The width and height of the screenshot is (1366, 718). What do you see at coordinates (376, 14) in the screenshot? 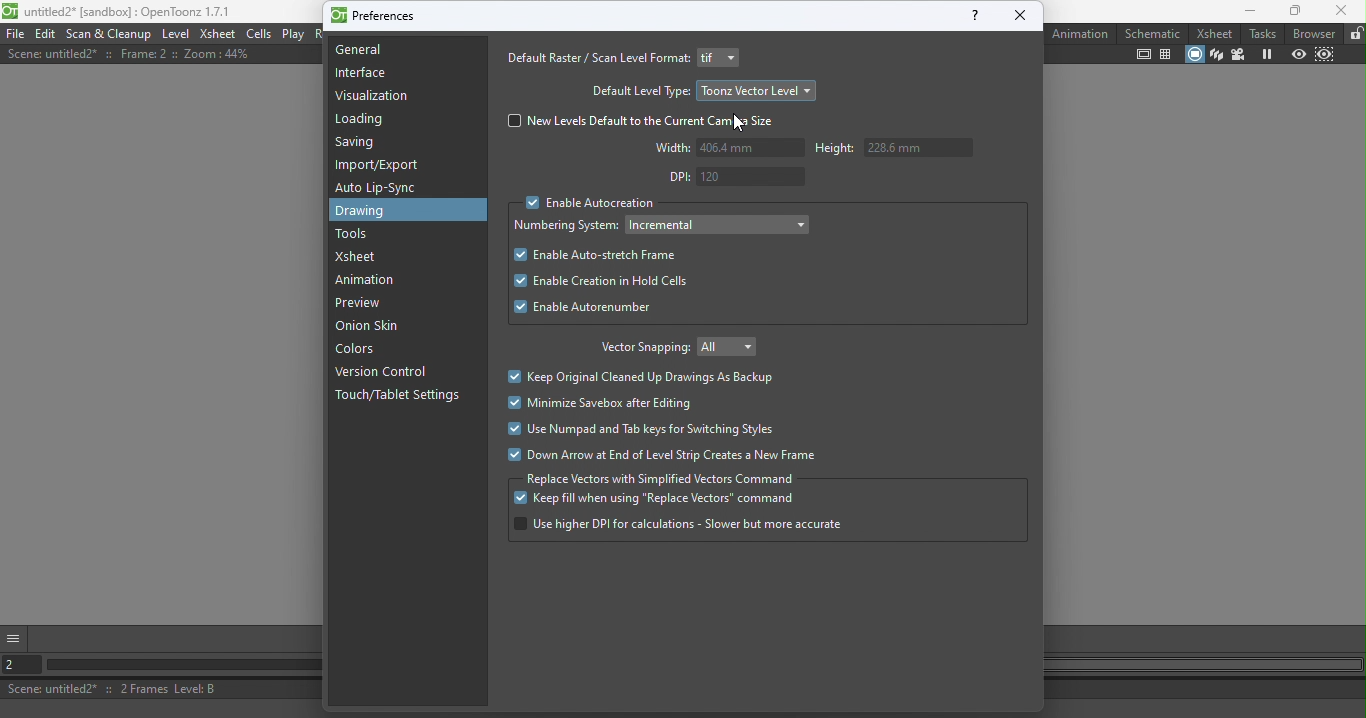
I see `Preferences` at bounding box center [376, 14].